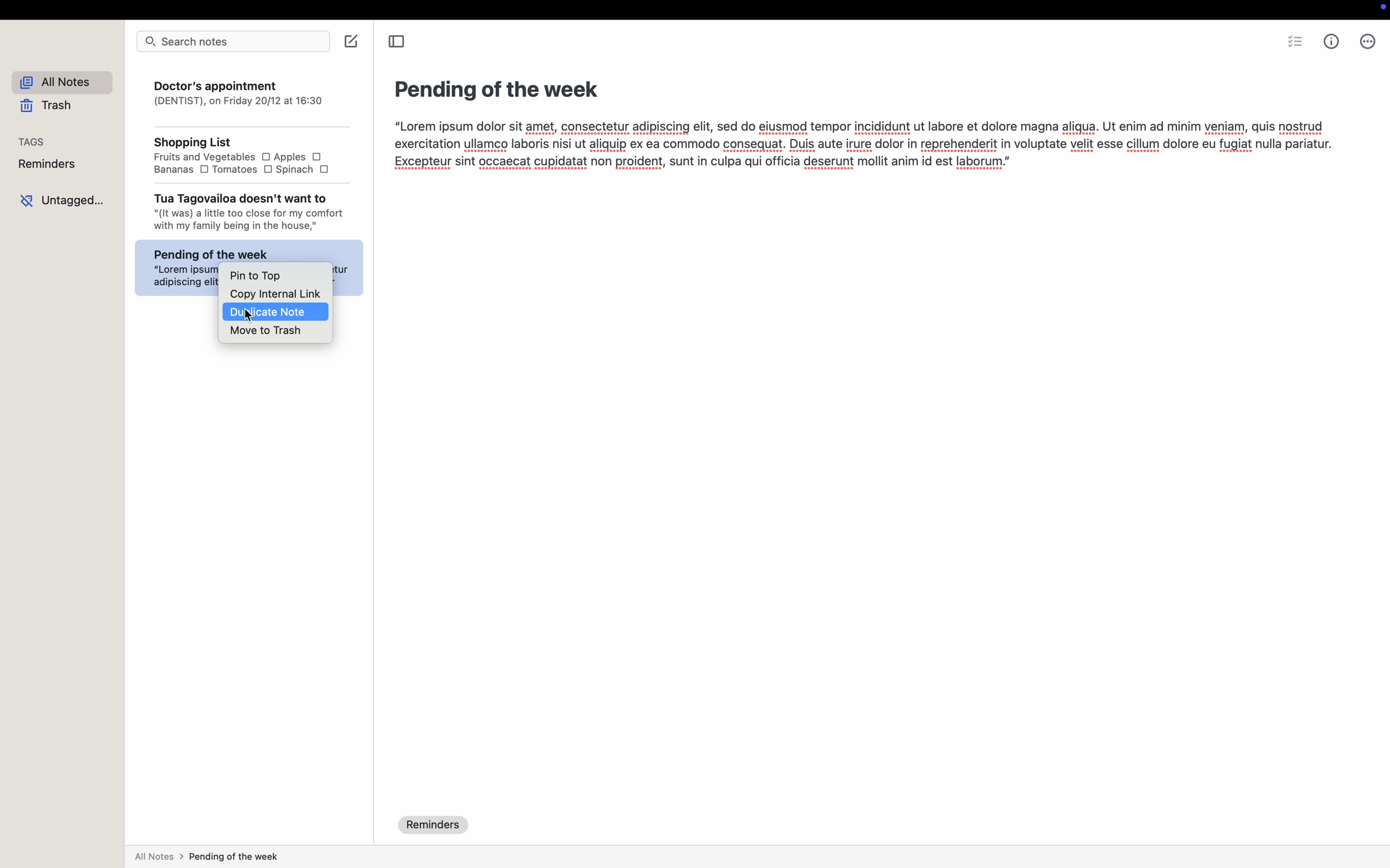  I want to click on Pending of the week, so click(511, 92).